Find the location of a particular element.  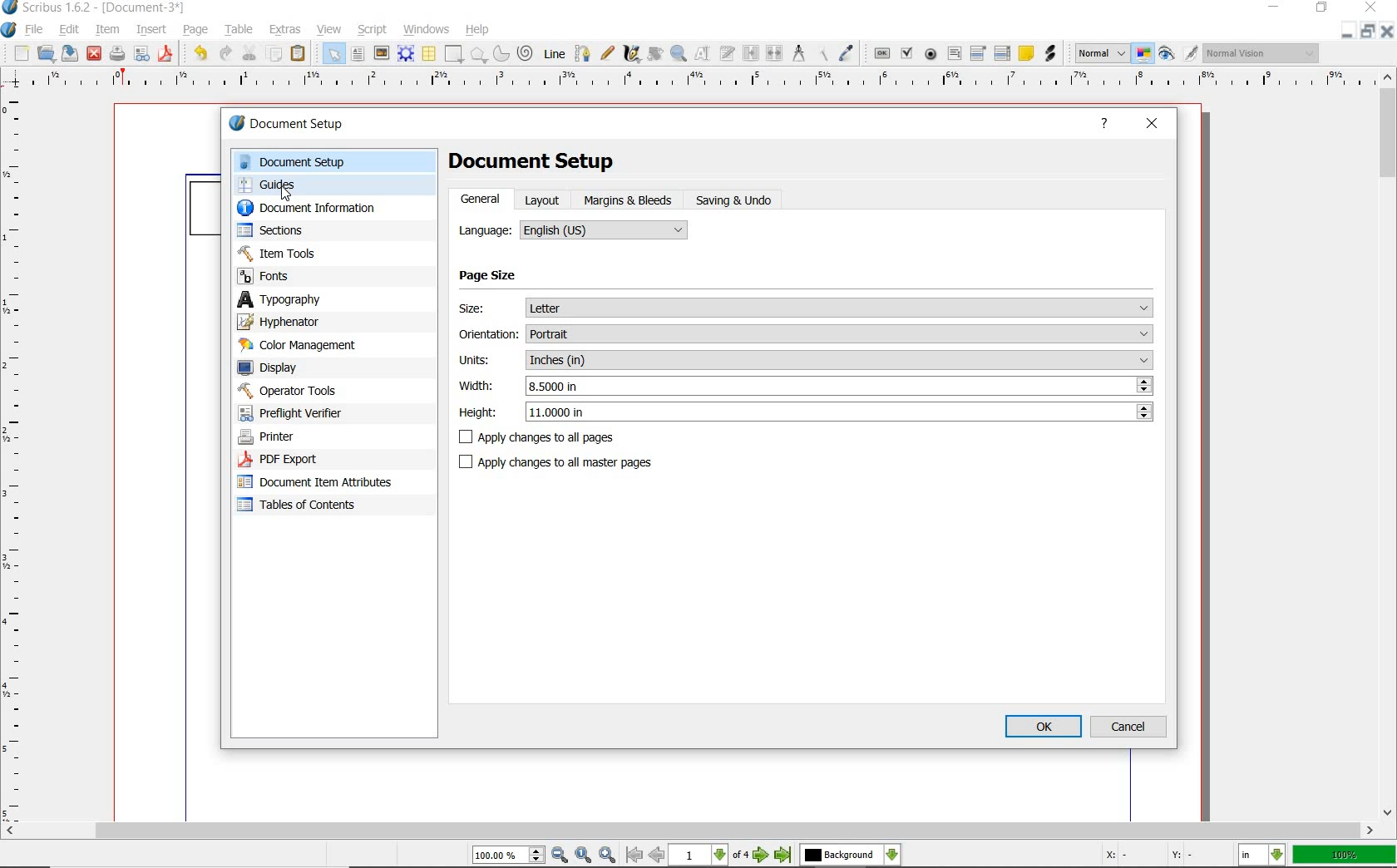

windows is located at coordinates (427, 28).